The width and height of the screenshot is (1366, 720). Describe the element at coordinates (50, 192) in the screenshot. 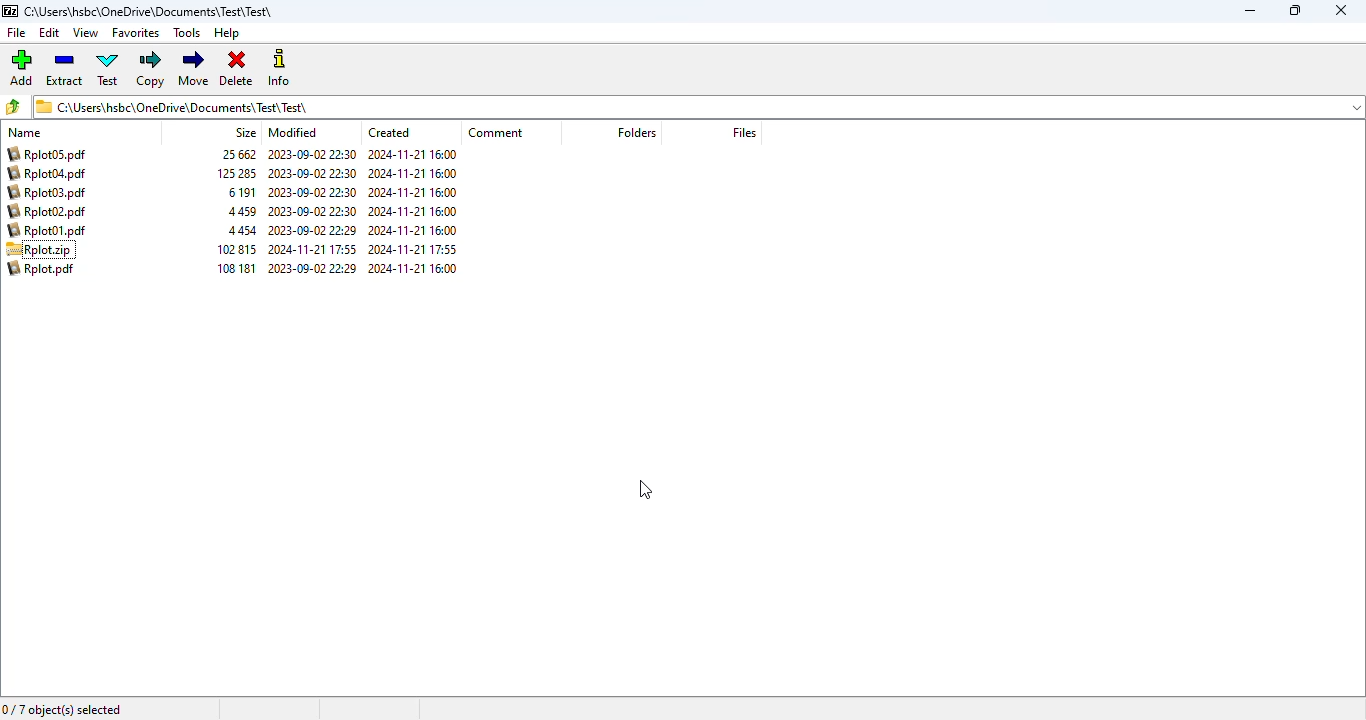

I see `Rplot03.pdf` at that location.